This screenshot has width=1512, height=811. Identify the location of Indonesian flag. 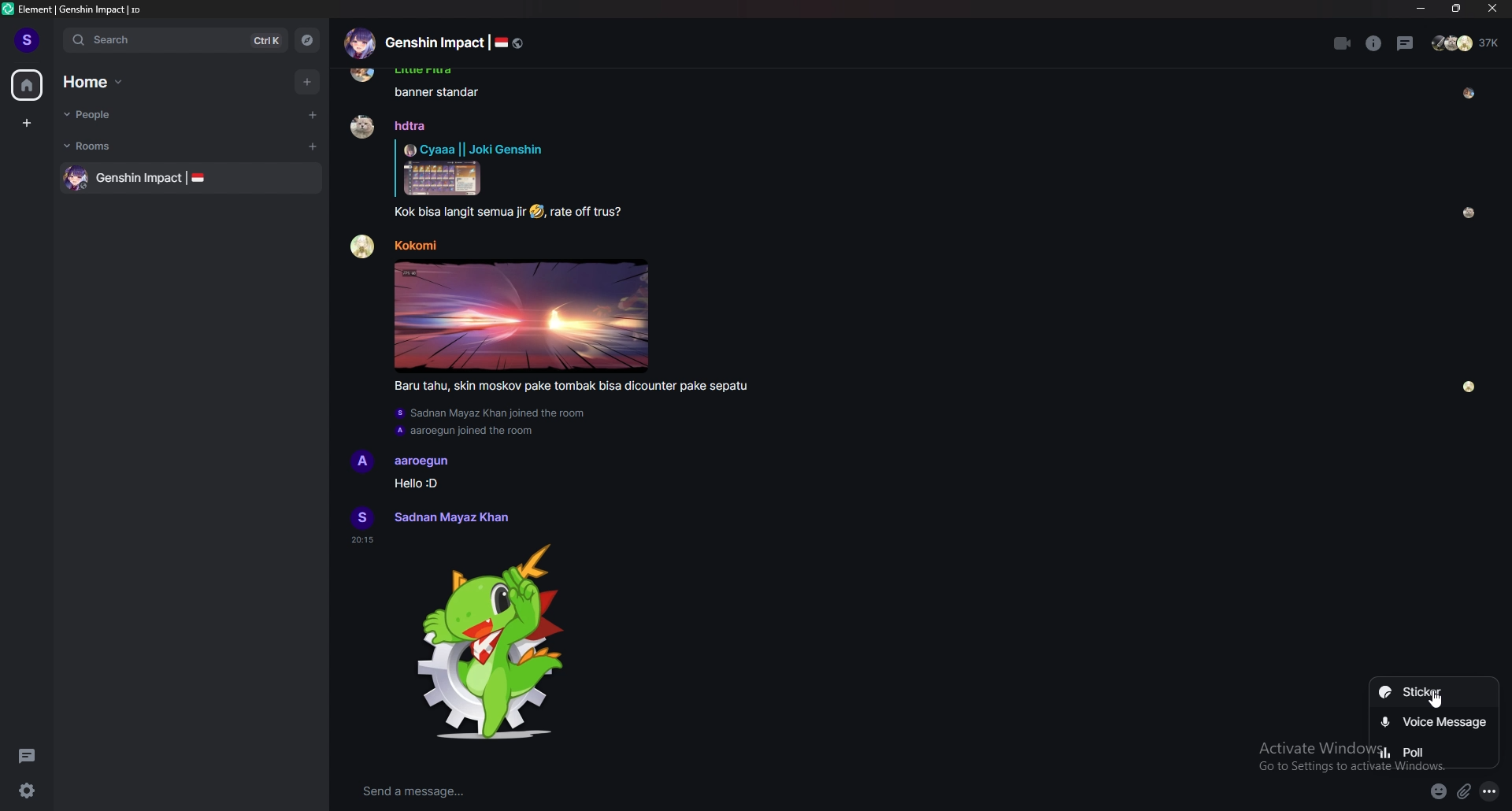
(198, 177).